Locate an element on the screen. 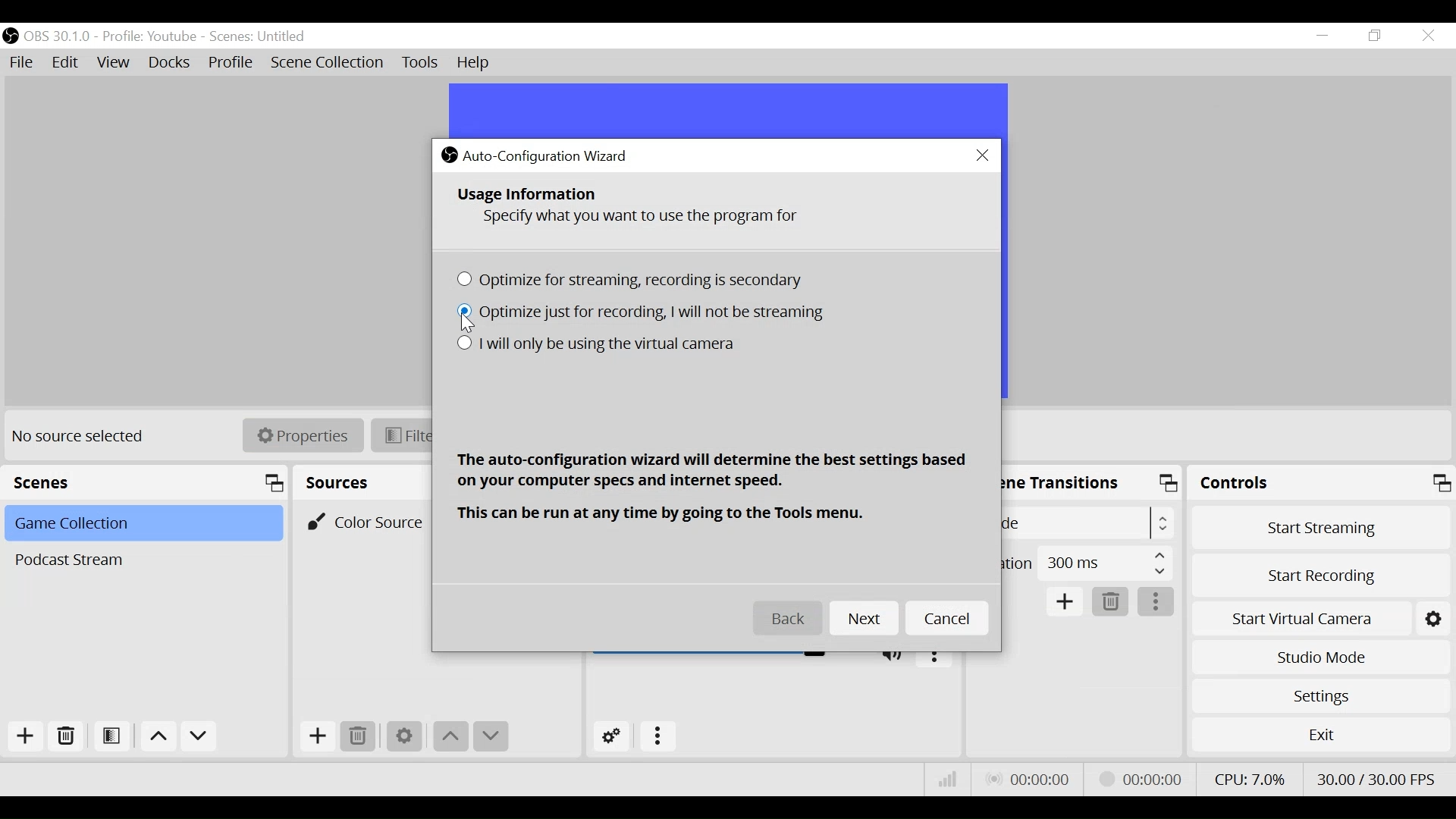 The height and width of the screenshot is (819, 1456). Start Virtual Camera is located at coordinates (1300, 617).